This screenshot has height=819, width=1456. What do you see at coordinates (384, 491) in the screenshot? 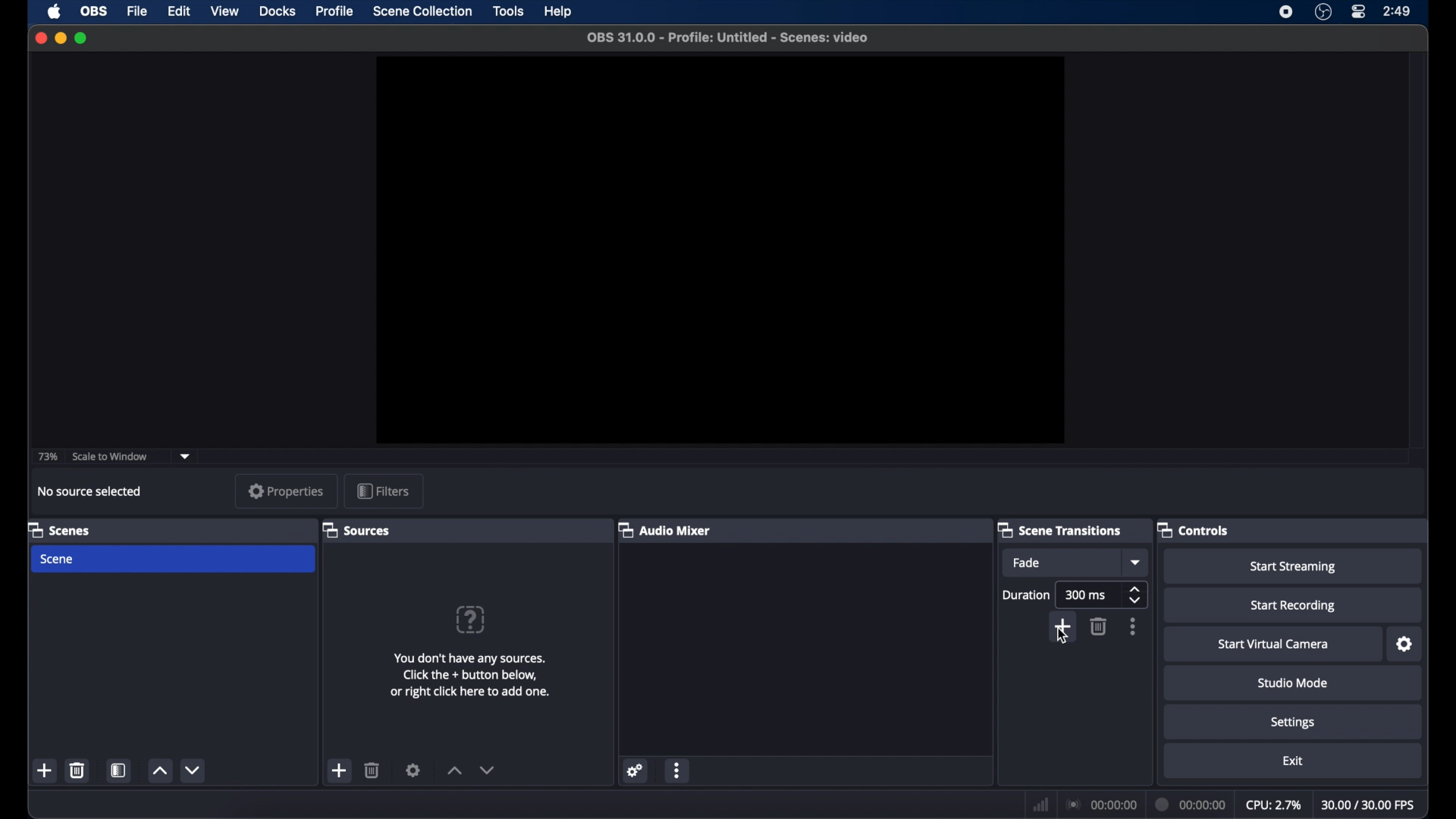
I see `filters` at bounding box center [384, 491].